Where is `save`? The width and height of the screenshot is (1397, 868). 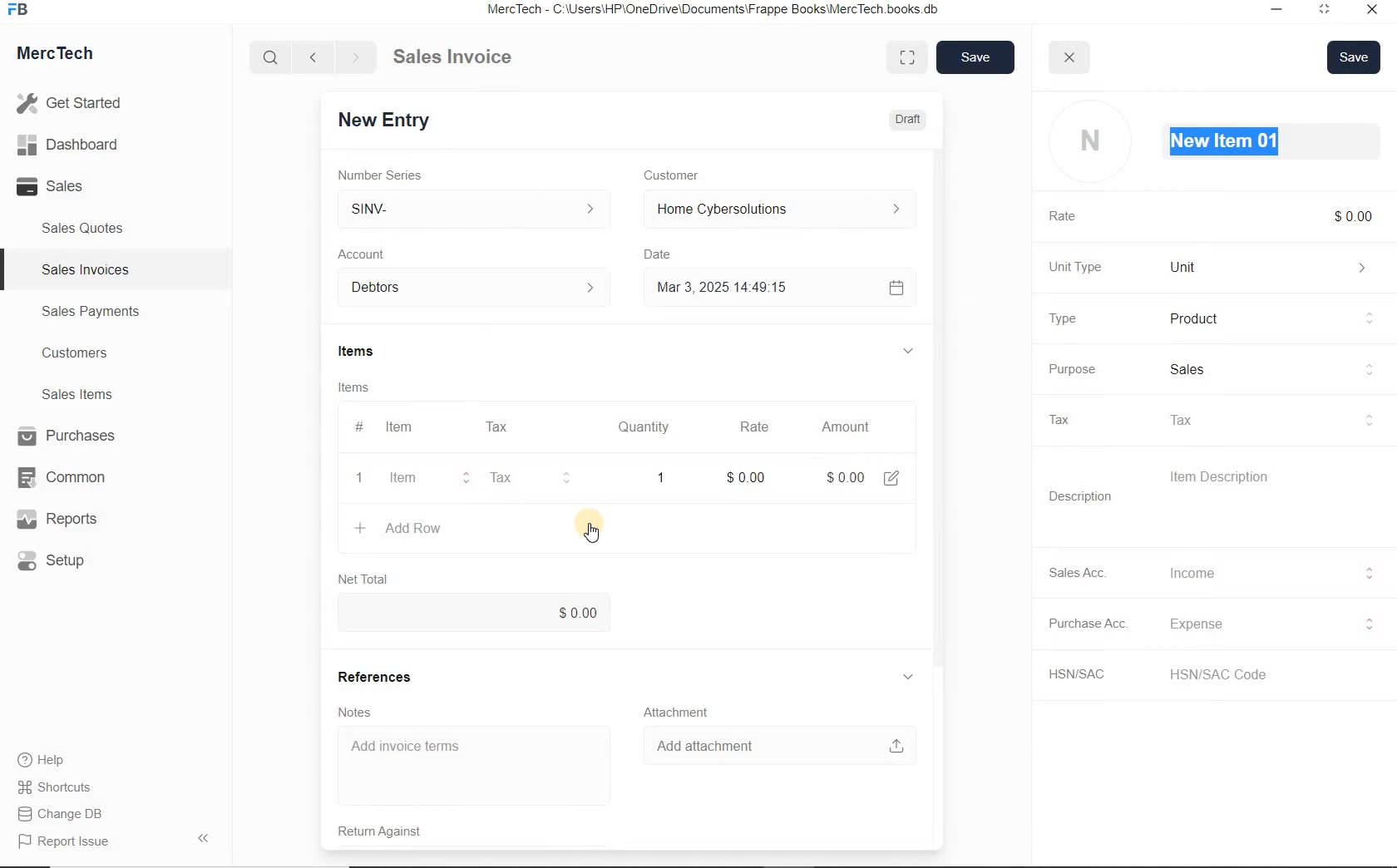 save is located at coordinates (977, 57).